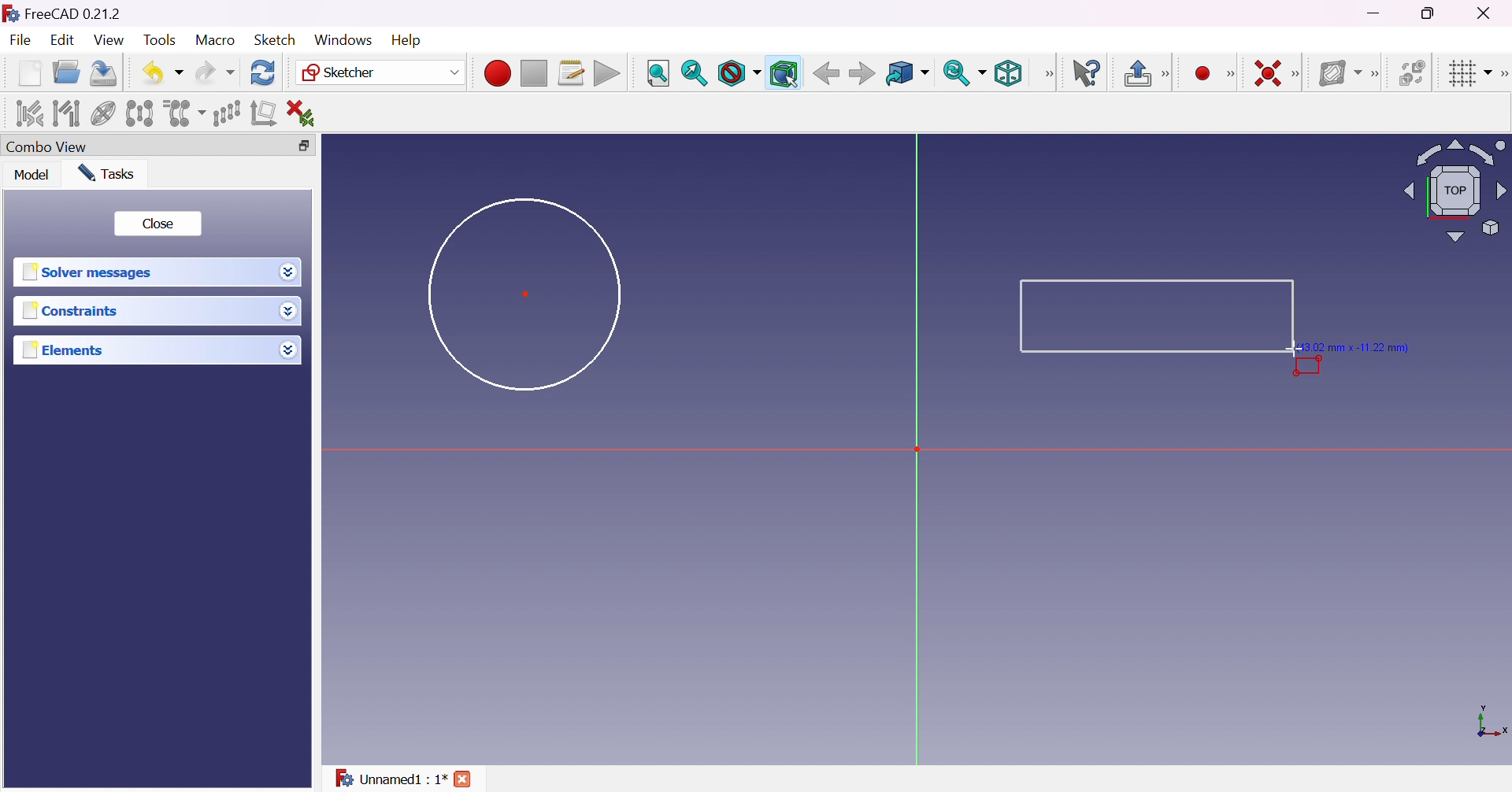 This screenshot has width=1512, height=792. What do you see at coordinates (65, 350) in the screenshot?
I see `Elements` at bounding box center [65, 350].